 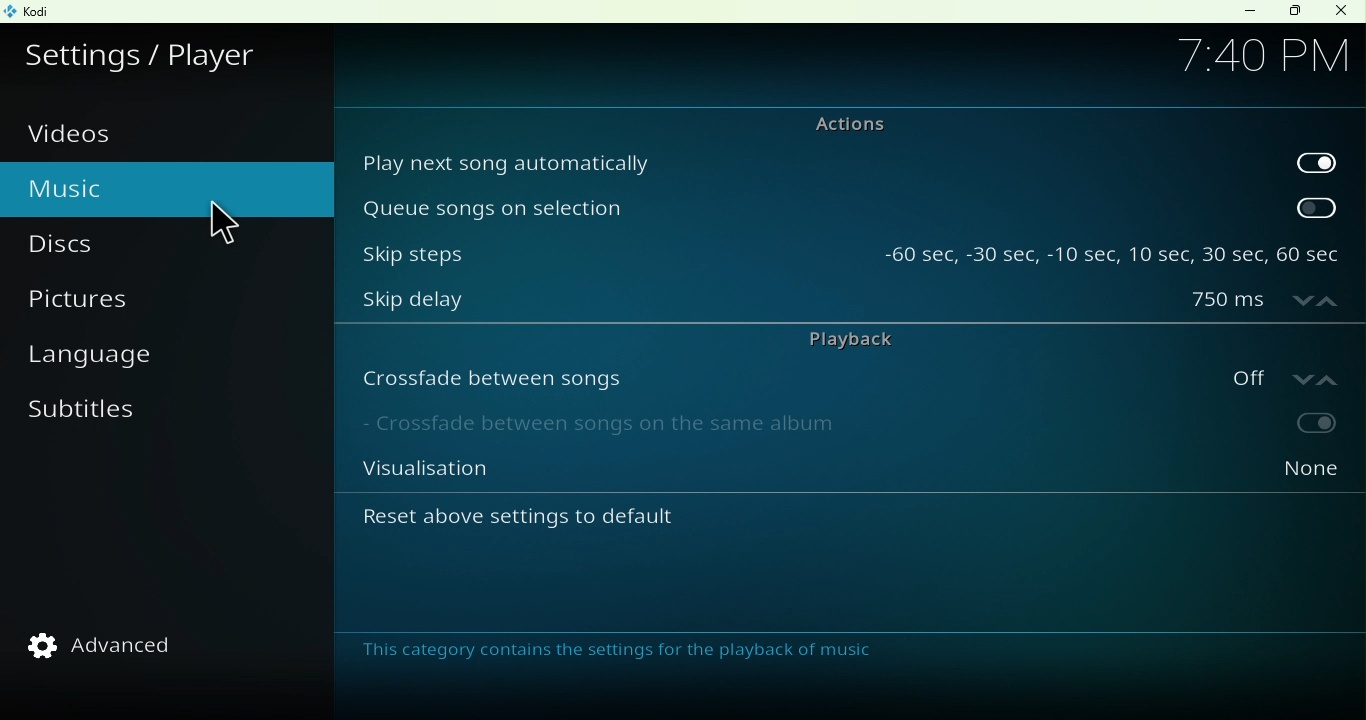 What do you see at coordinates (838, 123) in the screenshot?
I see `Actions` at bounding box center [838, 123].